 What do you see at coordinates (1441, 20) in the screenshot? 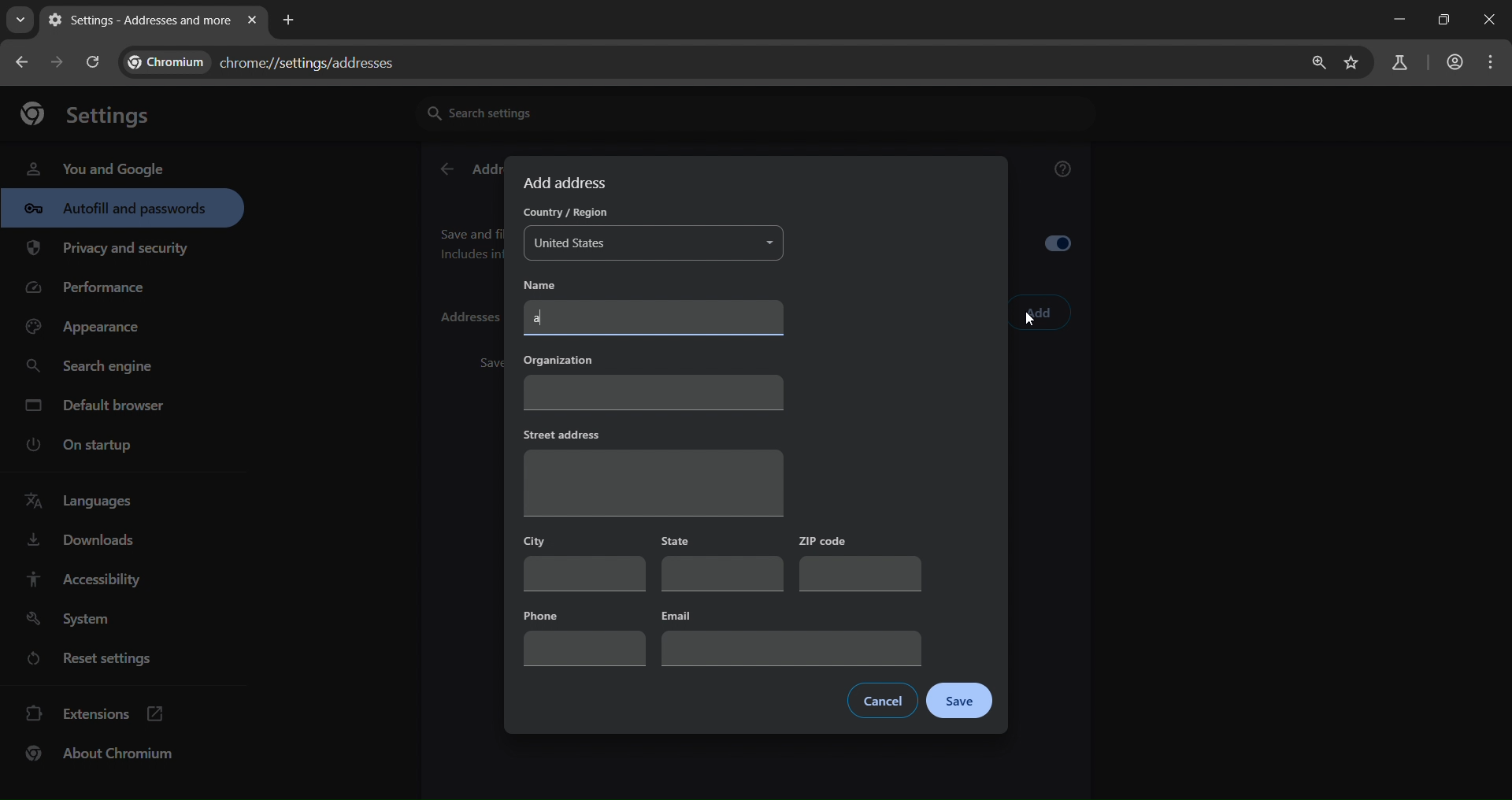
I see `restore down` at bounding box center [1441, 20].